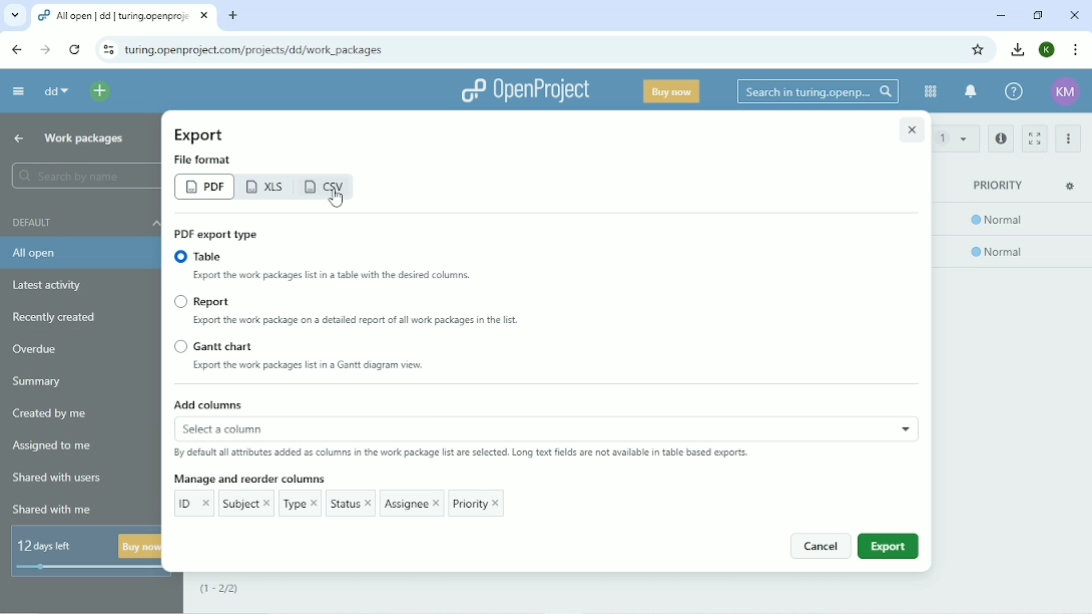 This screenshot has width=1092, height=614. I want to click on Reload this page , so click(74, 50).